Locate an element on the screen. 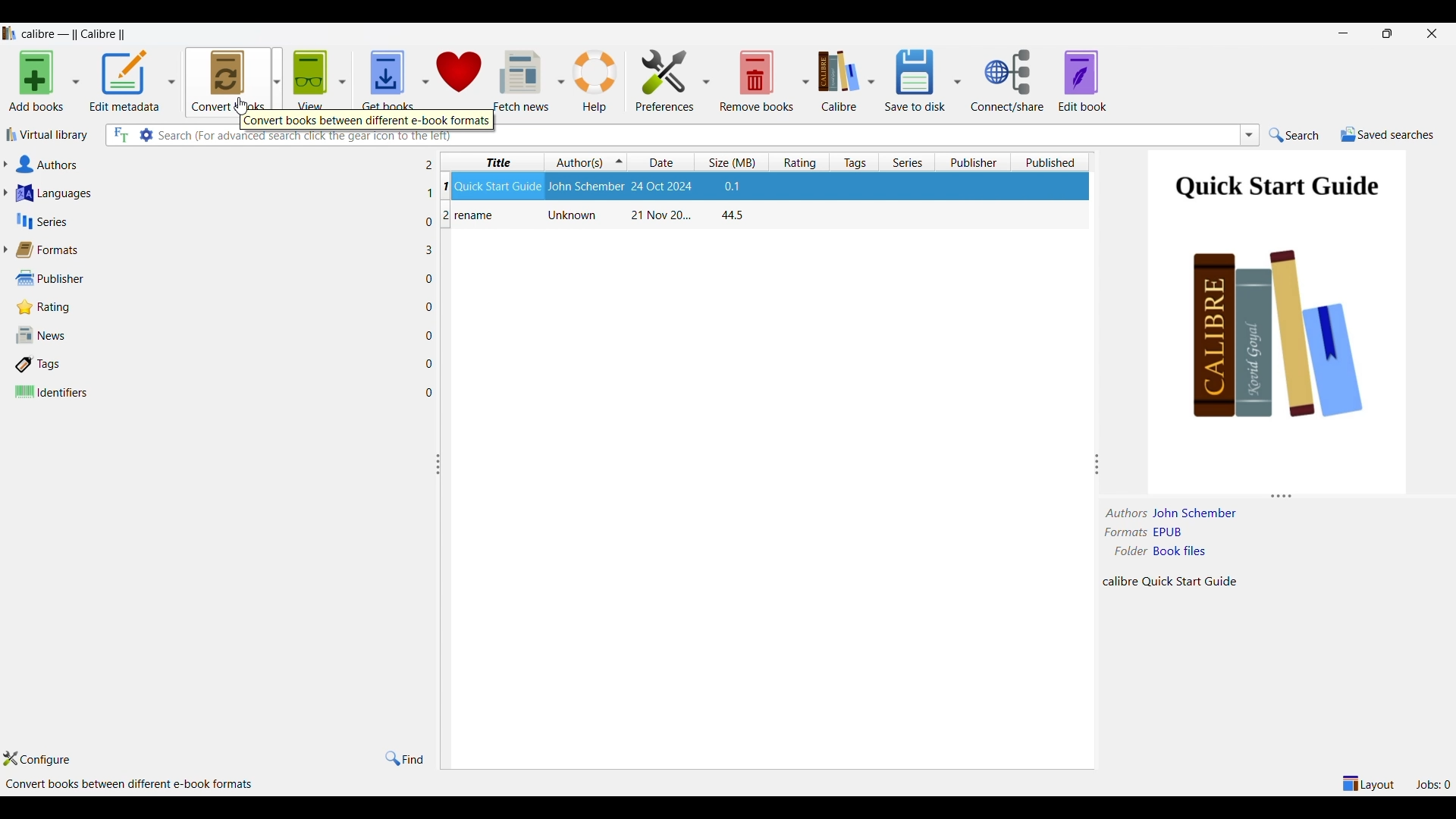  Add book options is located at coordinates (77, 81).